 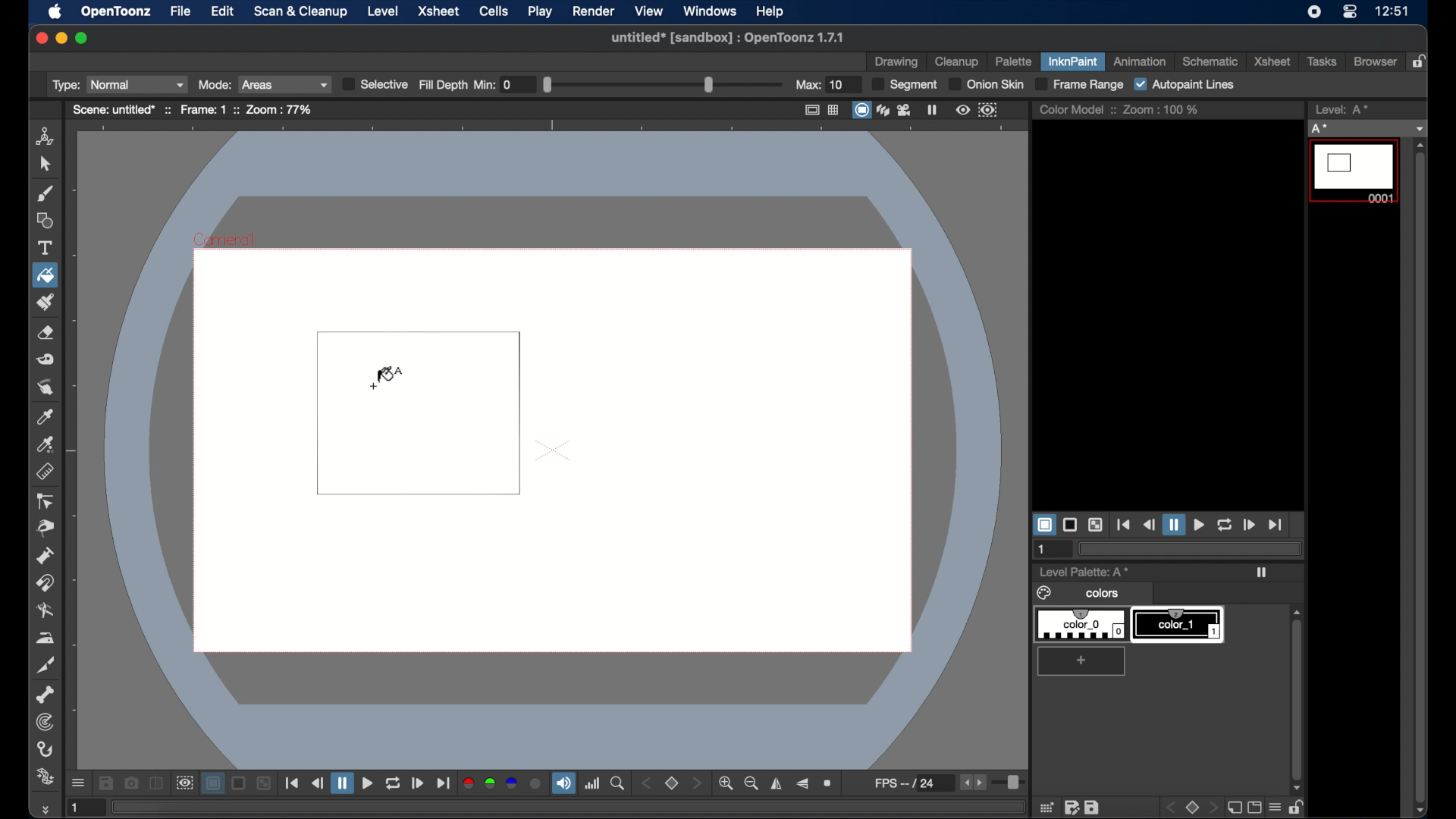 I want to click on compare to snapshot, so click(x=156, y=783).